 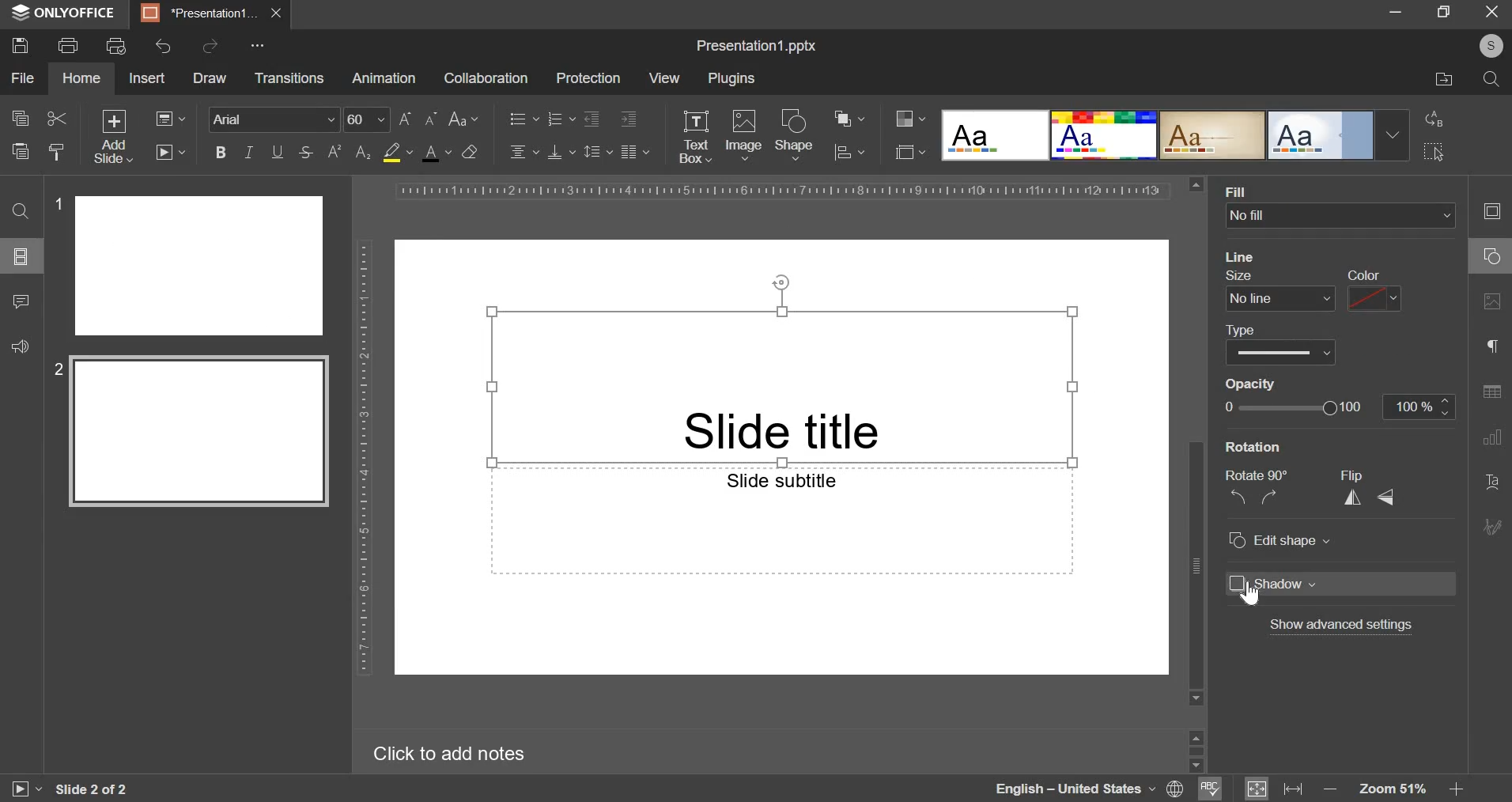 I want to click on slide size, so click(x=910, y=150).